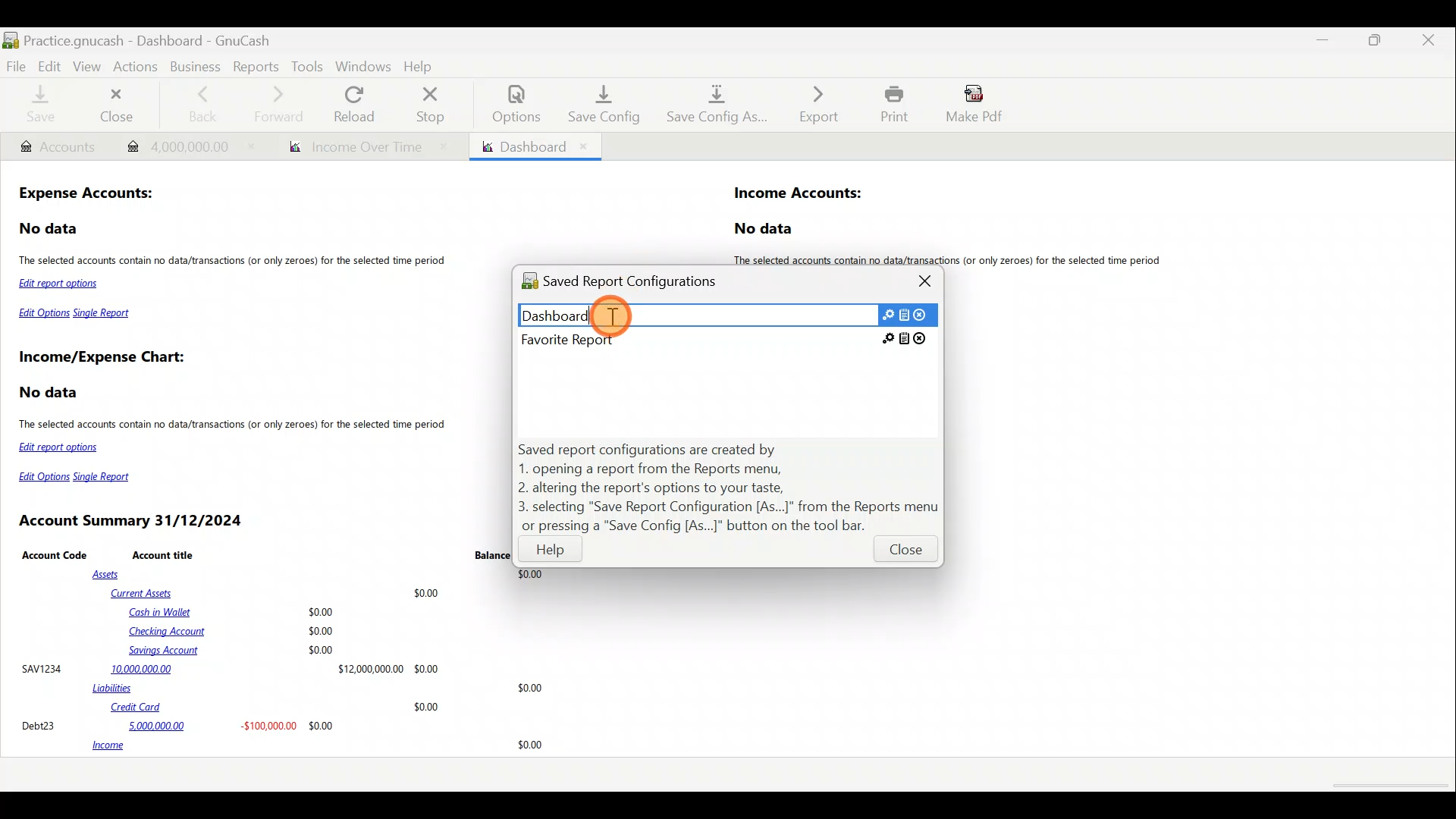  What do you see at coordinates (230, 668) in the screenshot?
I see `SAVI234 10,000,000.00 $12,000,00000 $0.00` at bounding box center [230, 668].